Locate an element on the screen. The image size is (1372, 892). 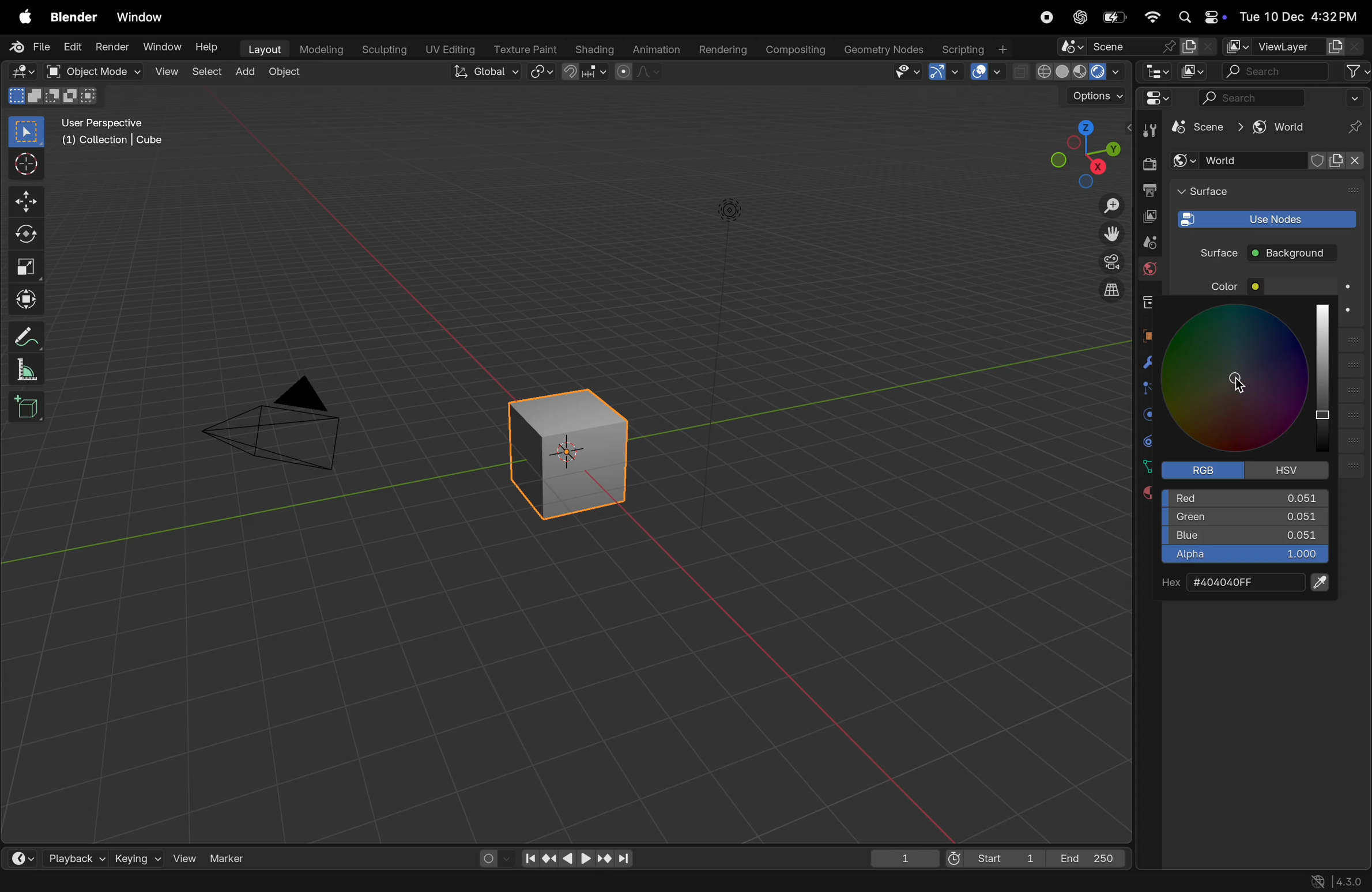
Alpha is located at coordinates (1243, 557).